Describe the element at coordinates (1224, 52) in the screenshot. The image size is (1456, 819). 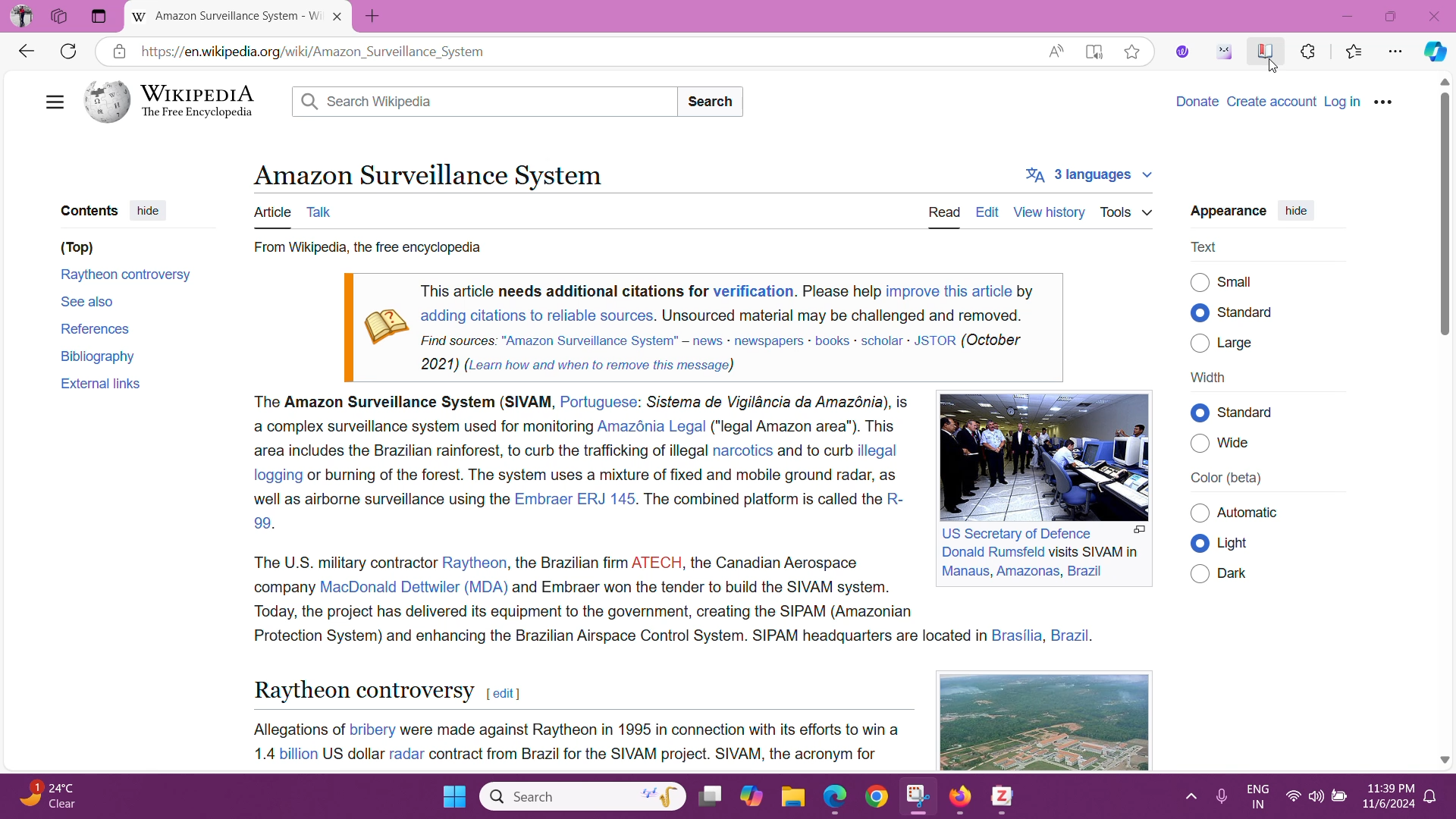
I see `Merlin AI Assistant Extension` at that location.